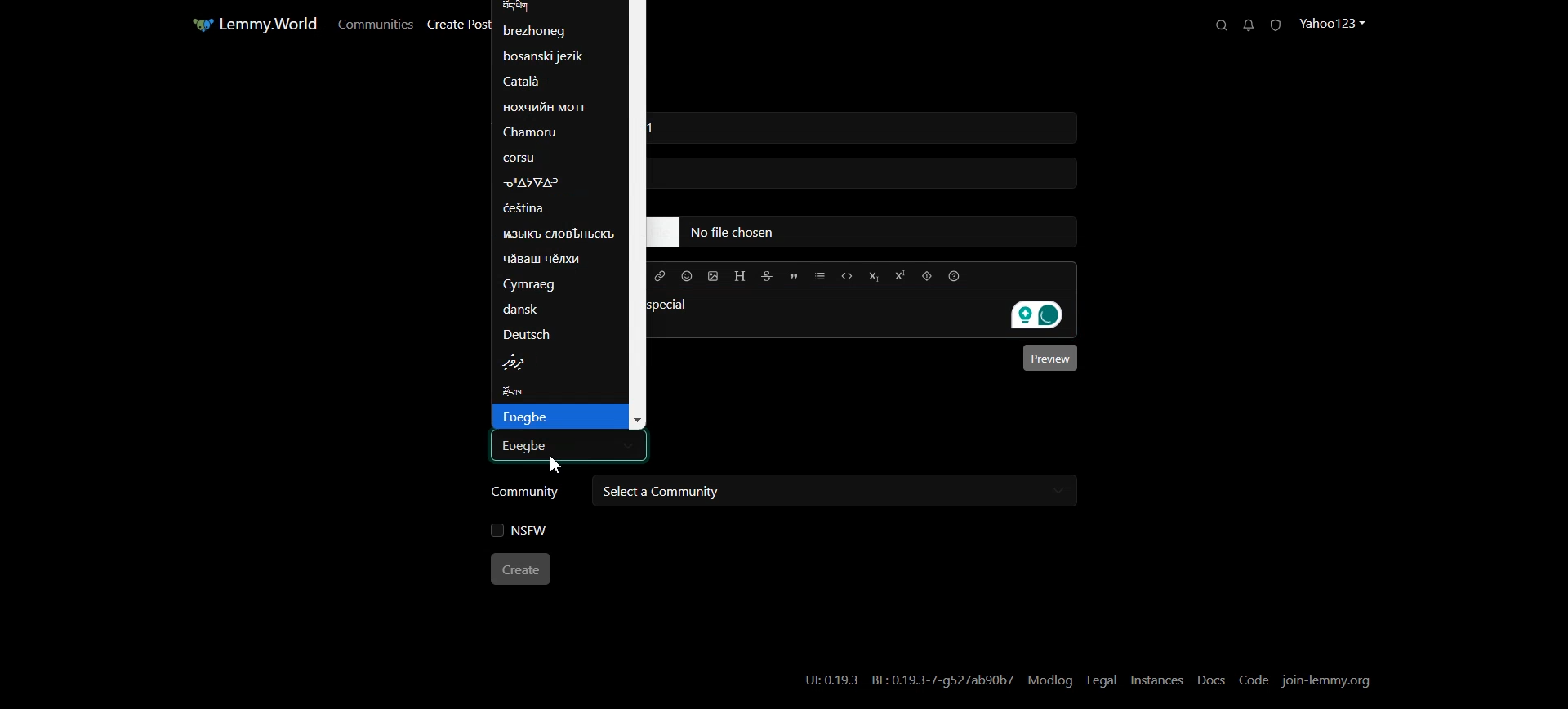 The height and width of the screenshot is (709, 1568). Describe the element at coordinates (927, 275) in the screenshot. I see `Spoiler` at that location.